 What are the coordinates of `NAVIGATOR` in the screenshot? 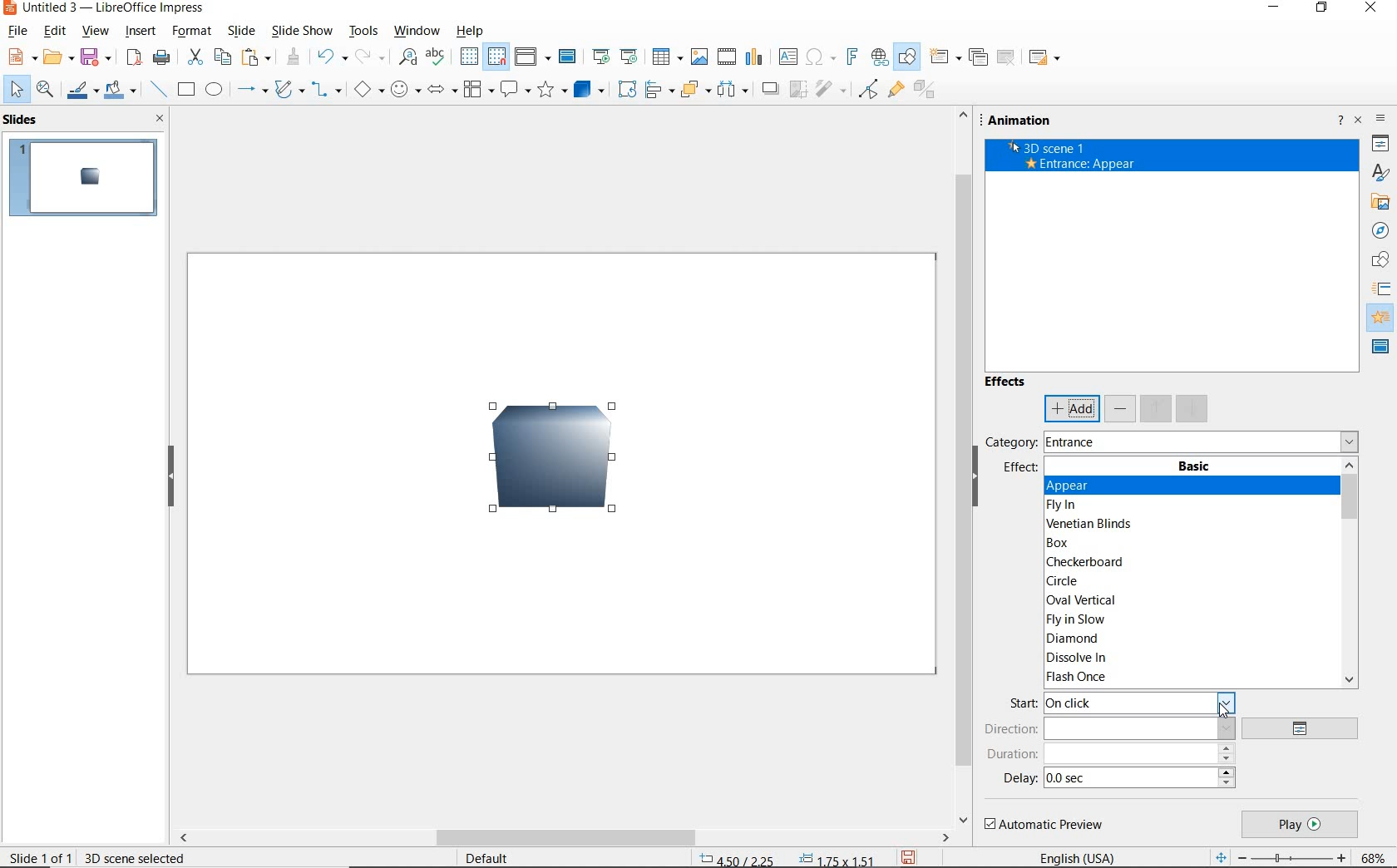 It's located at (1380, 231).